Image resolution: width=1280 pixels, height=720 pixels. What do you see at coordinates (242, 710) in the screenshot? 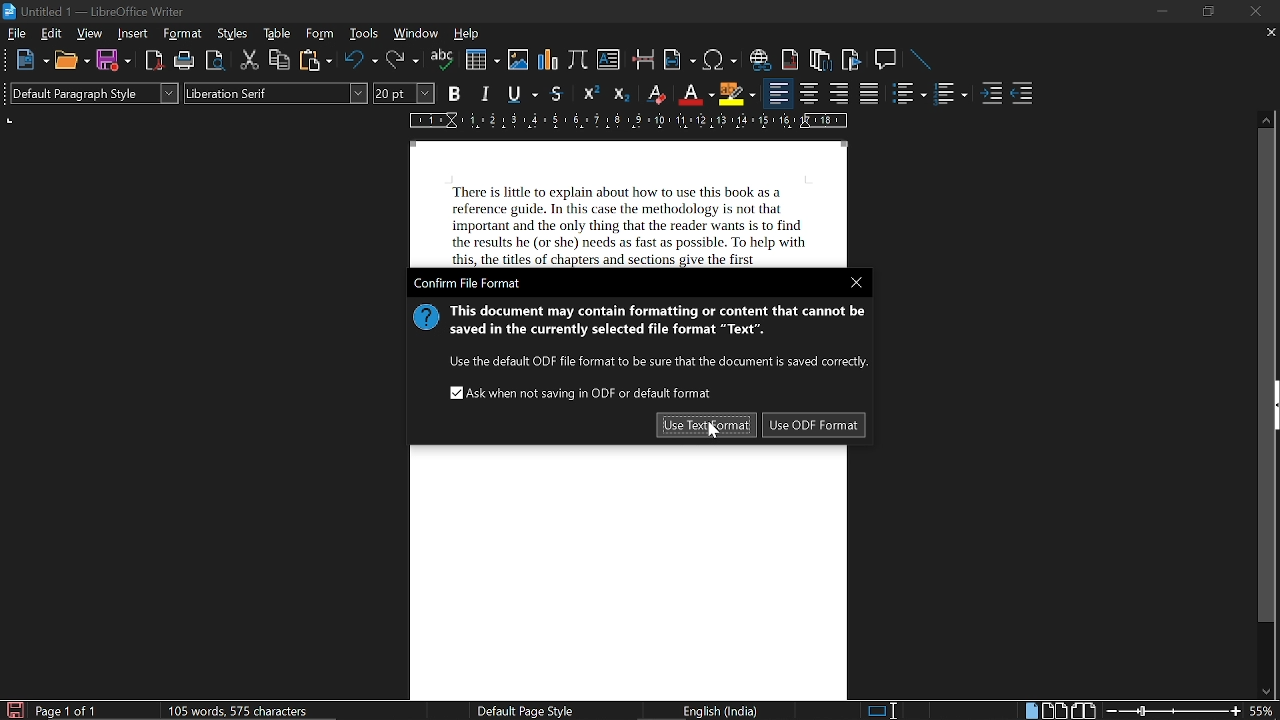
I see `word and character` at bounding box center [242, 710].